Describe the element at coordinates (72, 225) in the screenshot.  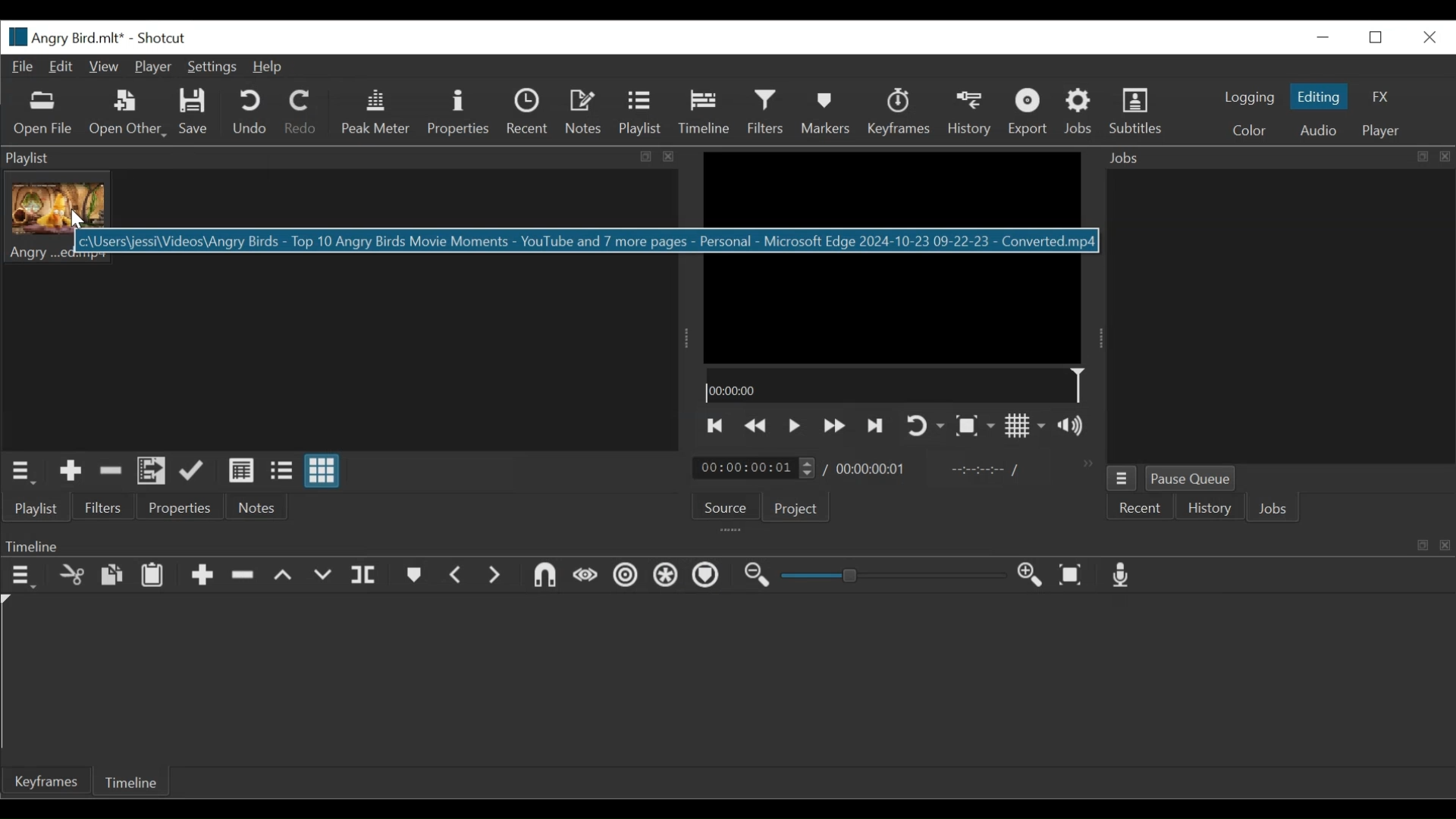
I see `cursor` at that location.